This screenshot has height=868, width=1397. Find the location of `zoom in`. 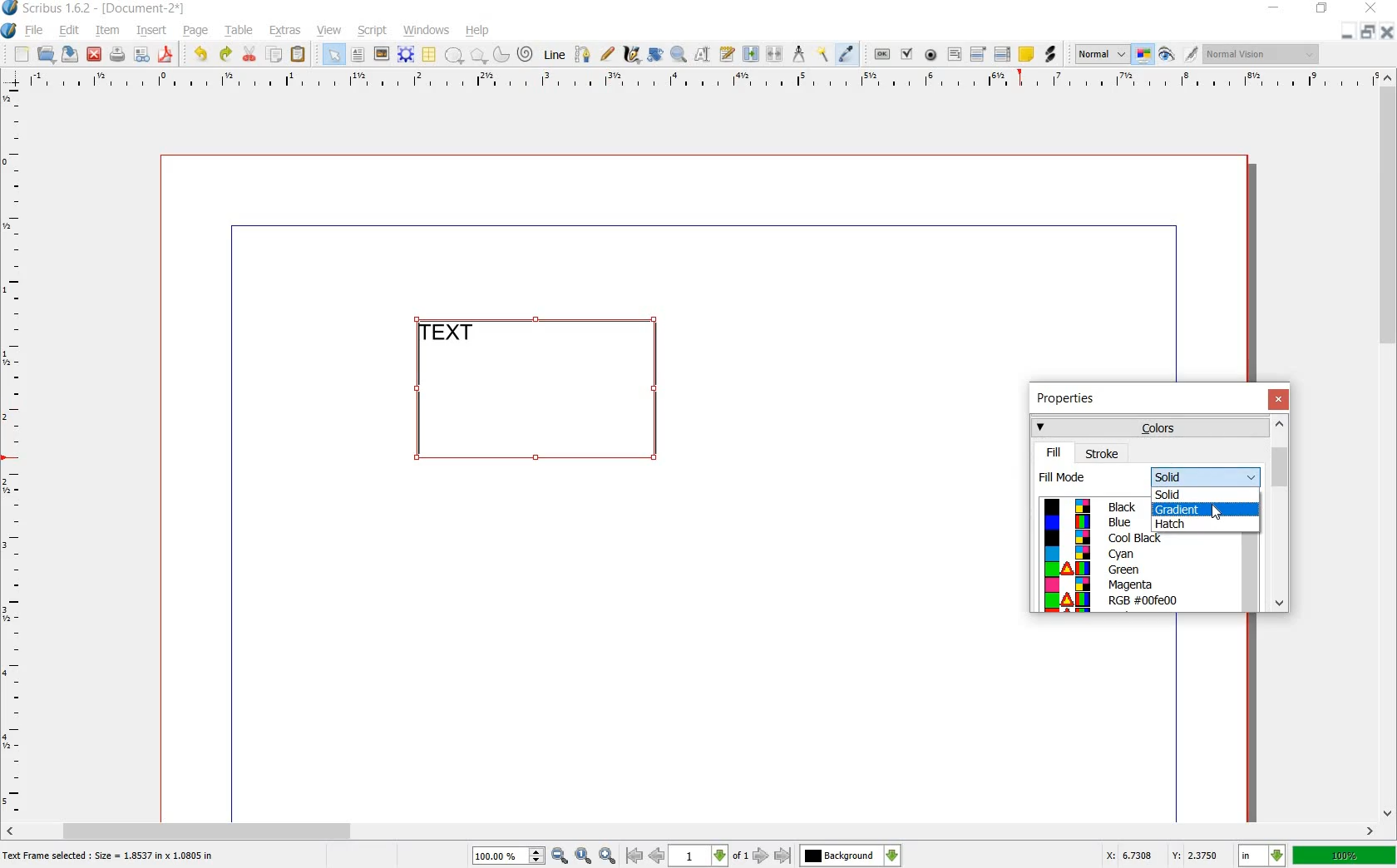

zoom in is located at coordinates (608, 856).